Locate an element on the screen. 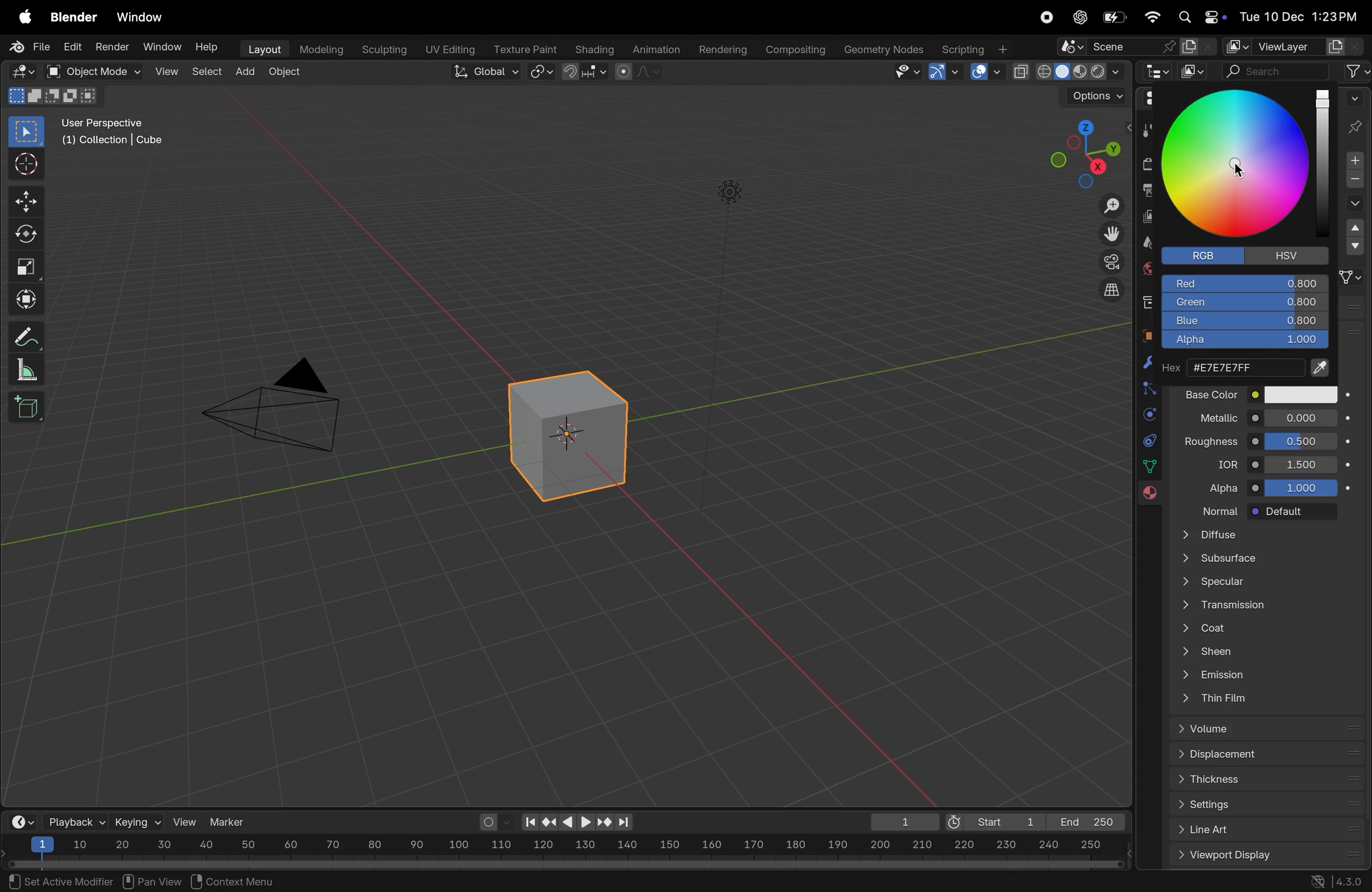 The width and height of the screenshot is (1372, 892). collection is located at coordinates (1147, 300).